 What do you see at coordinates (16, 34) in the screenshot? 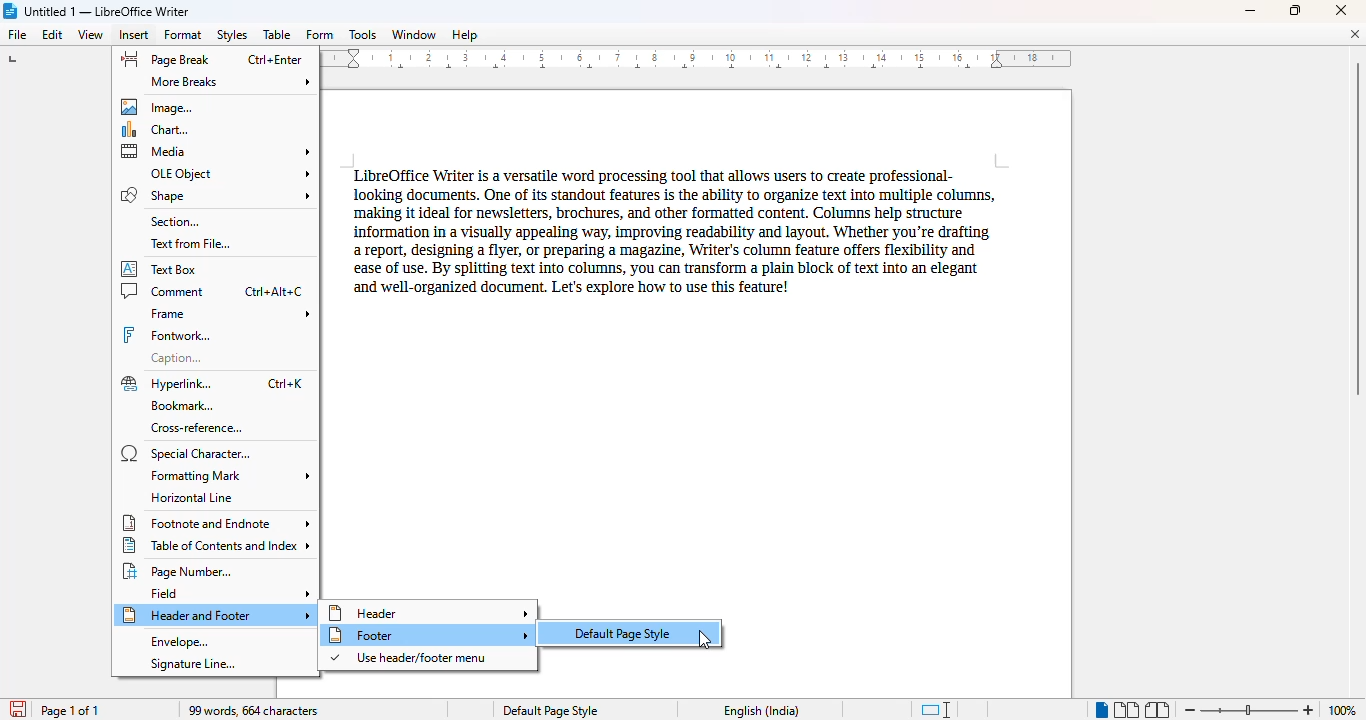
I see `file` at bounding box center [16, 34].